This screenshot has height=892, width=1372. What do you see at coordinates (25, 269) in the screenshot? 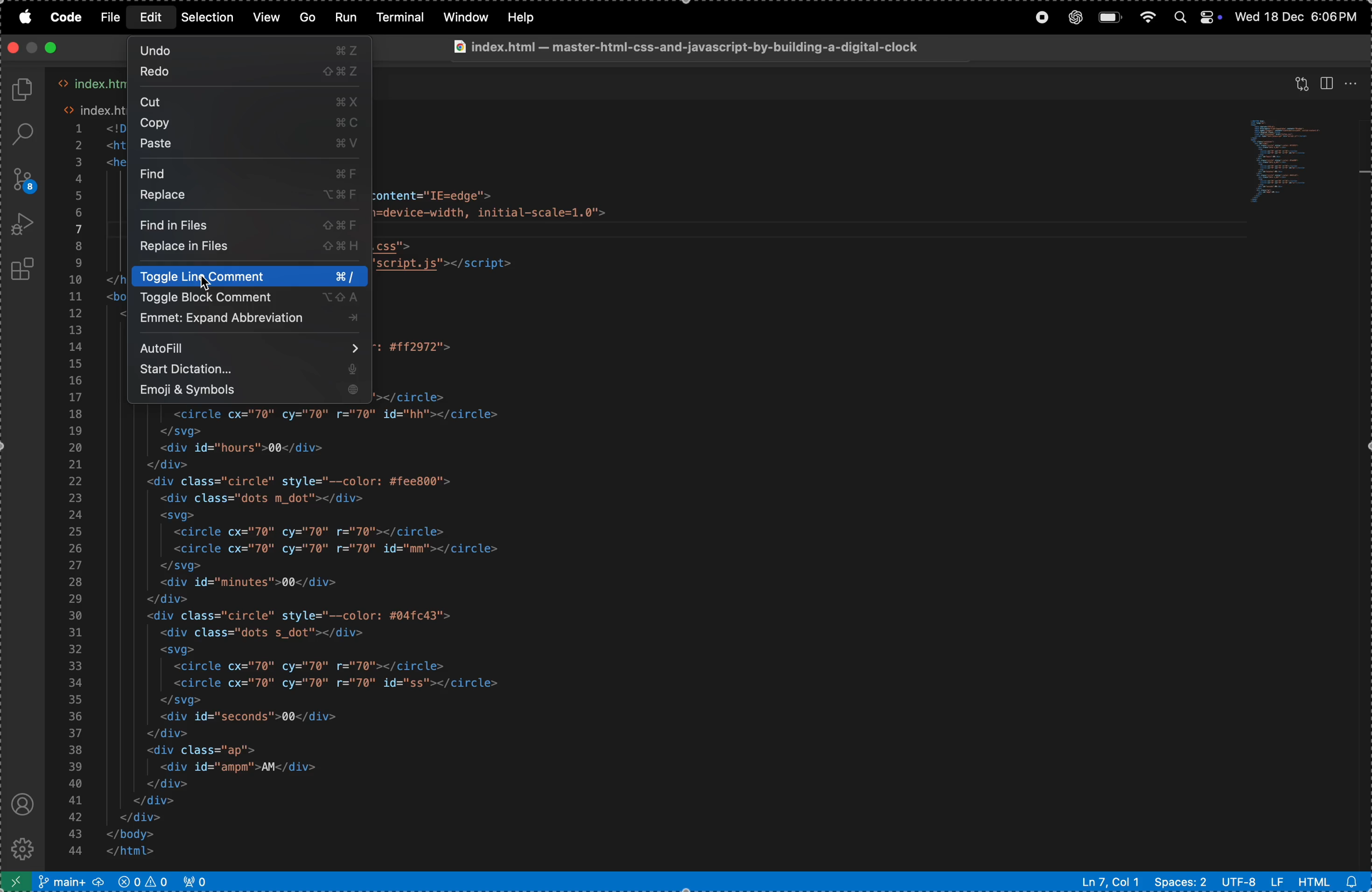
I see `extensions` at bounding box center [25, 269].